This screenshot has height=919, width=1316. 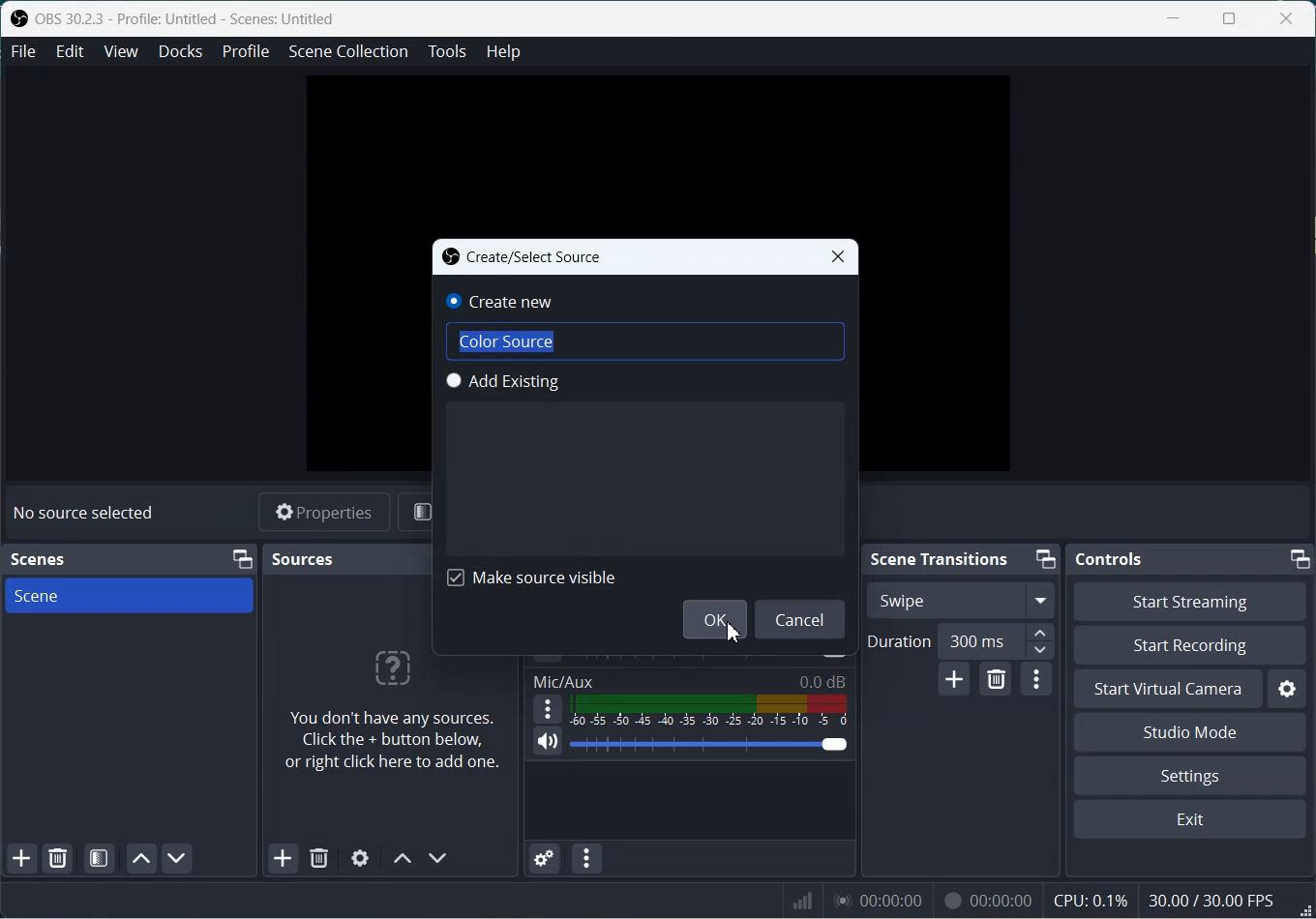 What do you see at coordinates (1213, 900) in the screenshot?
I see `30.00 / 30.00 FPS` at bounding box center [1213, 900].